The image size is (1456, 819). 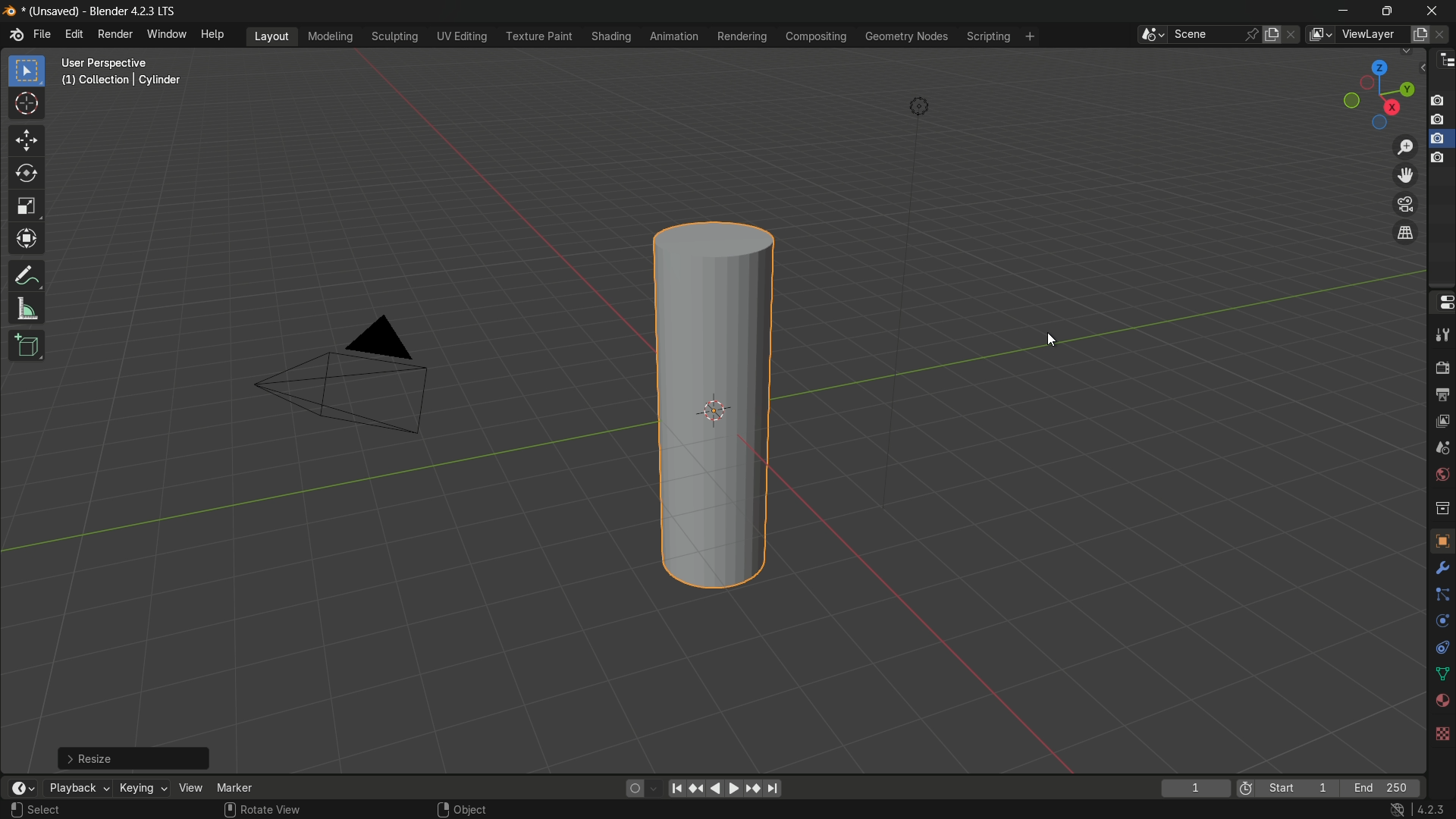 I want to click on collections, so click(x=1442, y=508).